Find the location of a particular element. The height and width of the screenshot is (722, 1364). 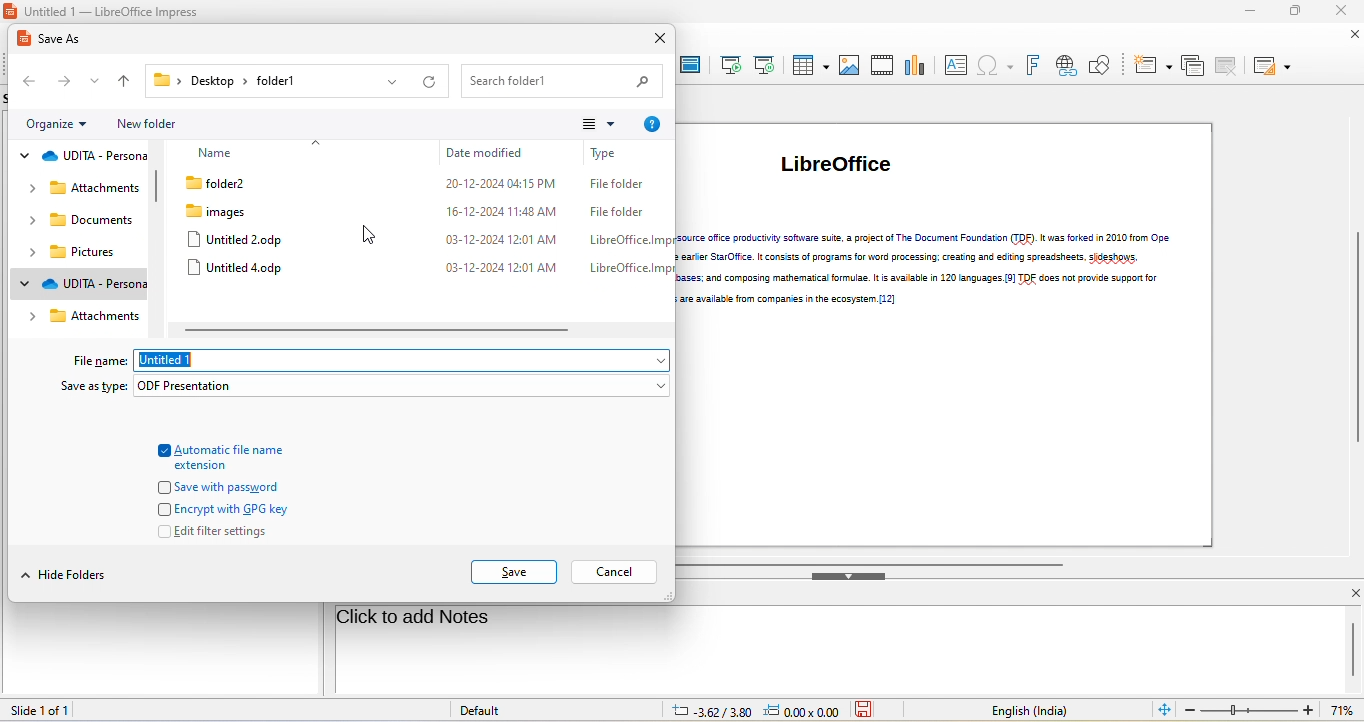

up to is located at coordinates (124, 83).